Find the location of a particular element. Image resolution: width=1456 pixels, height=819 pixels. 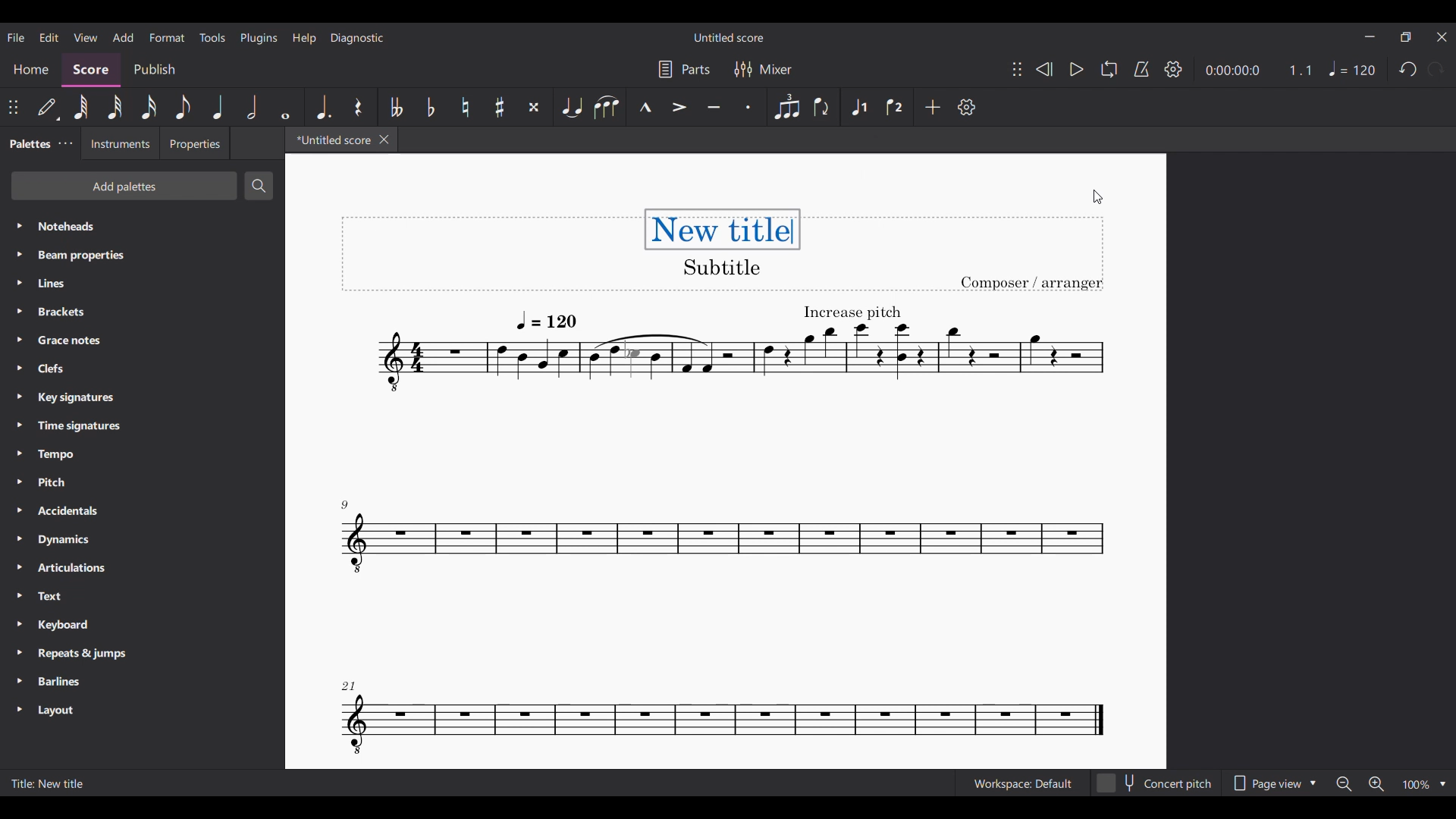

Lines is located at coordinates (143, 283).